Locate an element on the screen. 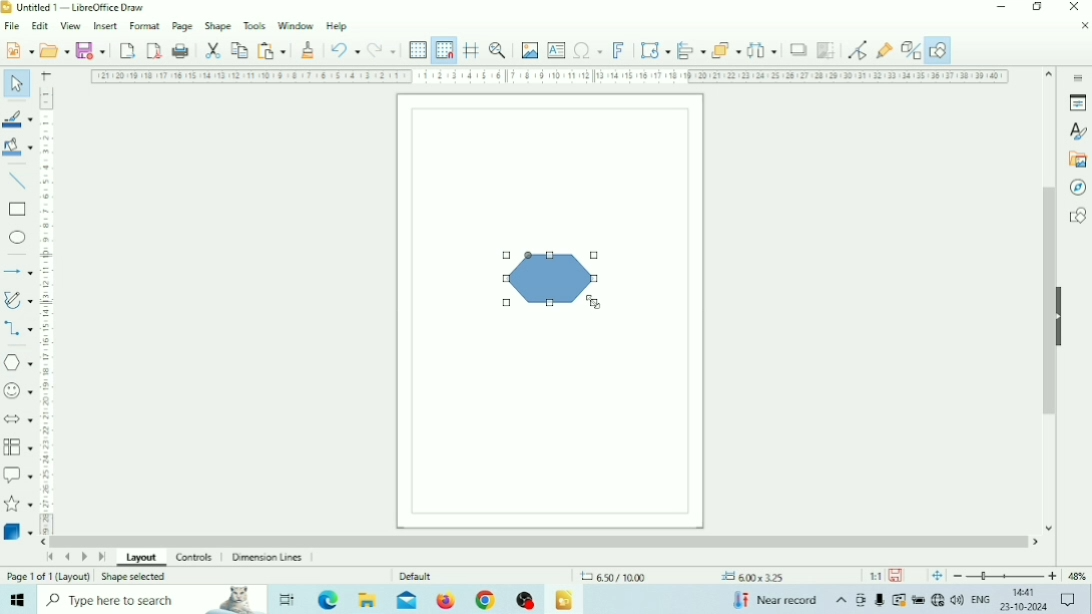 Image resolution: width=1092 pixels, height=614 pixels. File Explorer is located at coordinates (369, 599).